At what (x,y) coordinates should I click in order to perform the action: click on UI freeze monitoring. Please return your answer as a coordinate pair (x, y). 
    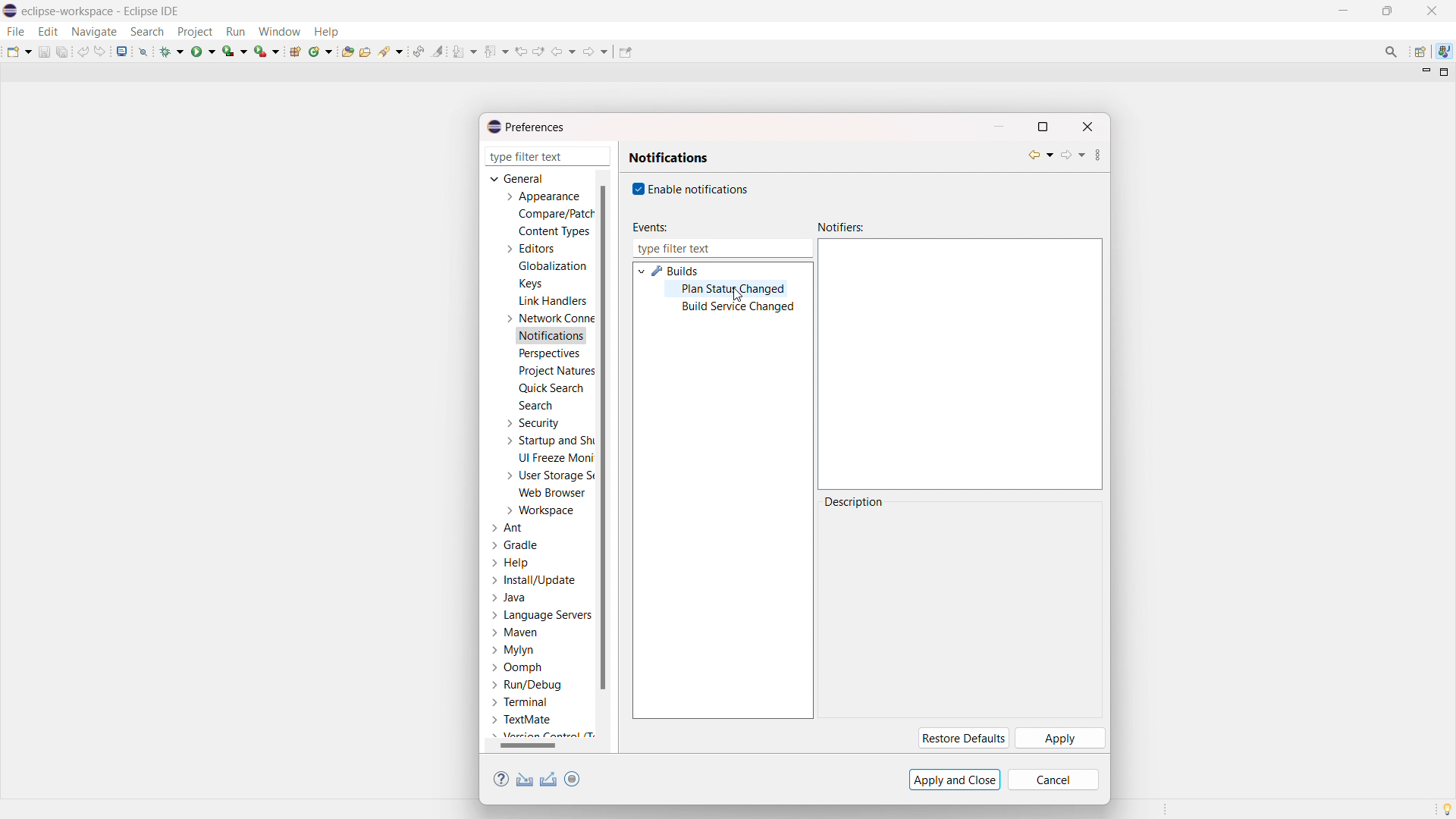
    Looking at the image, I should click on (556, 458).